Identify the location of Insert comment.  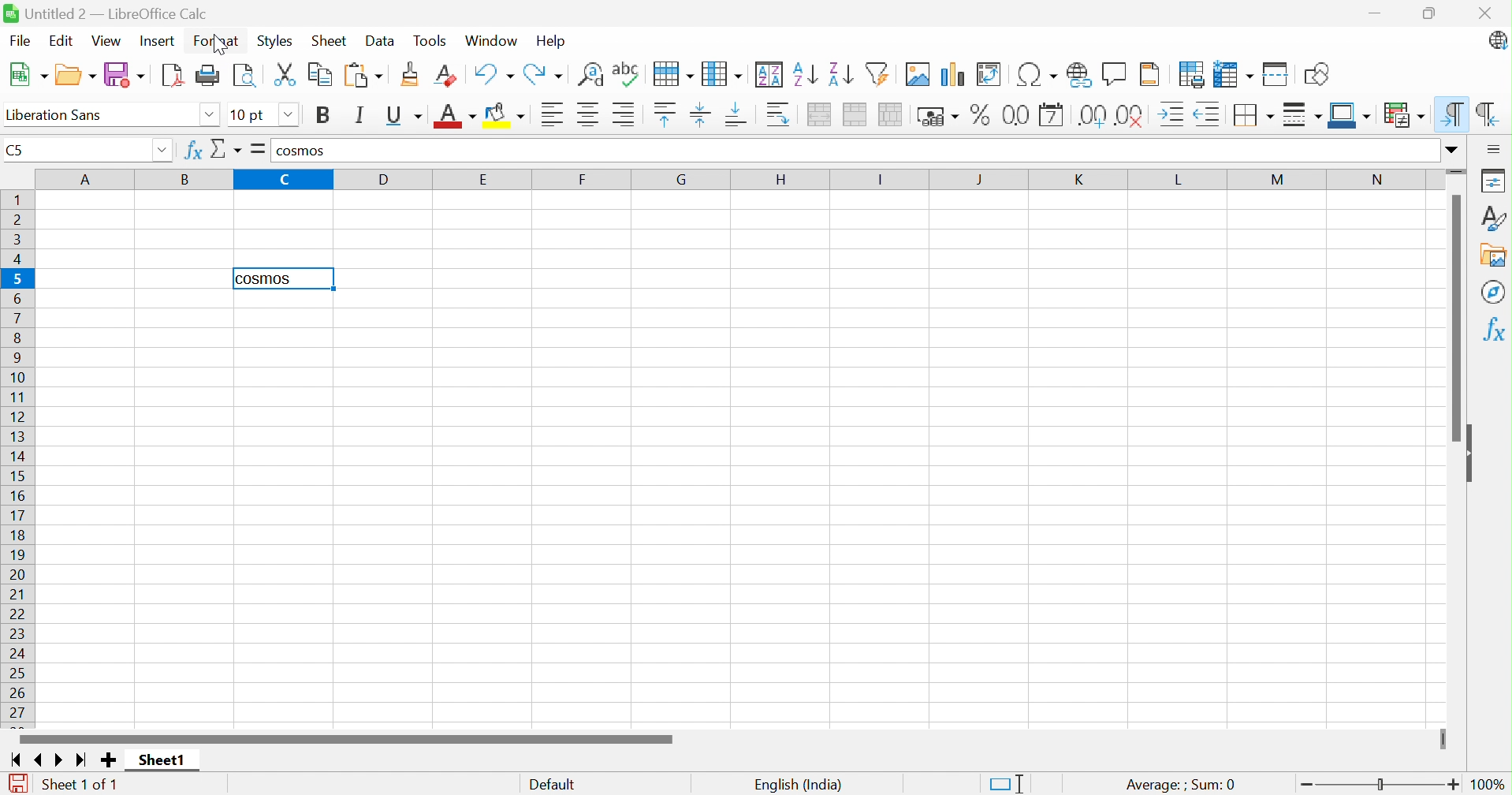
(1115, 73).